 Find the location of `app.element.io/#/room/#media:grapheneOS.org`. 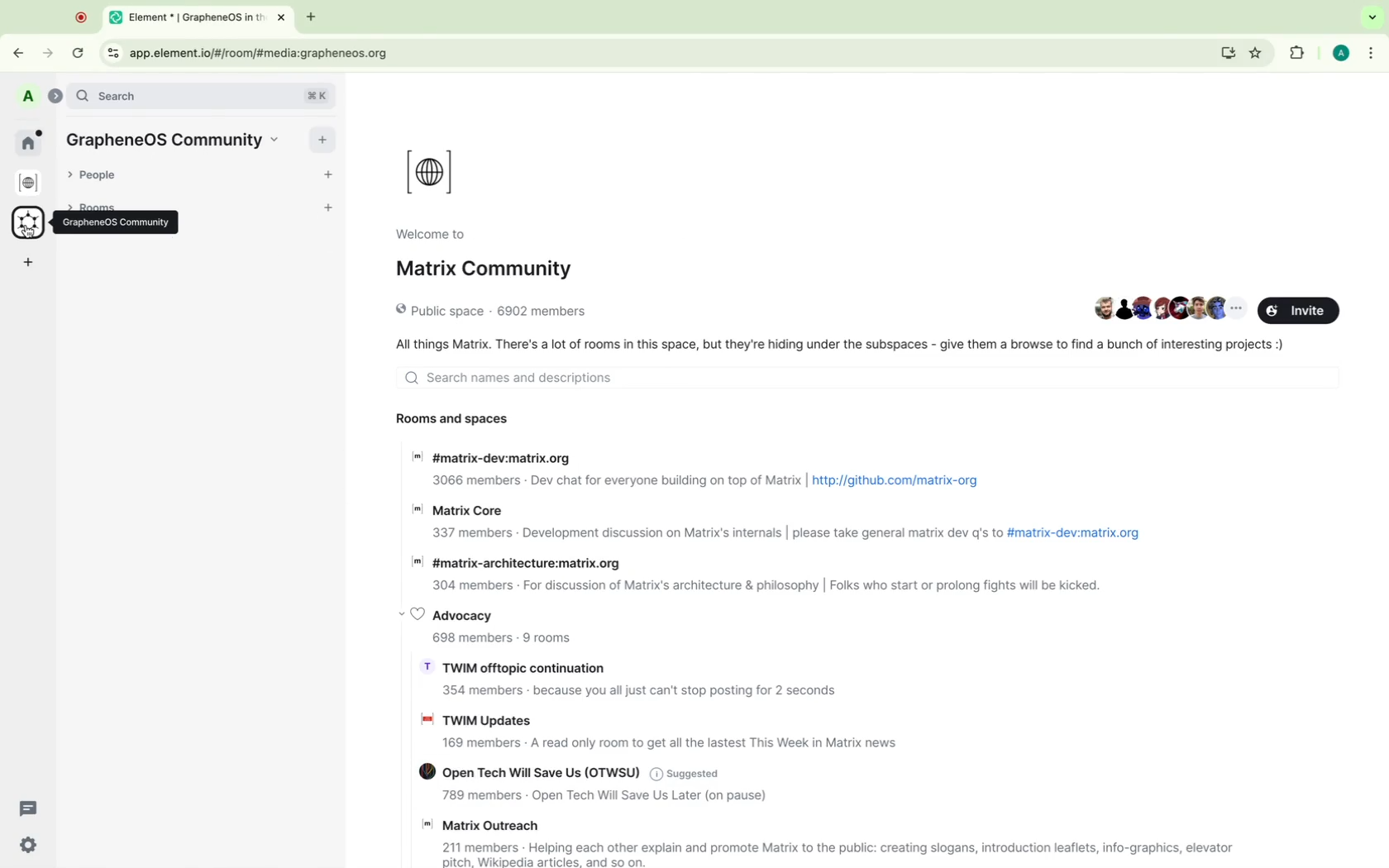

app.element.io/#/room/#media:grapheneOS.org is located at coordinates (668, 51).